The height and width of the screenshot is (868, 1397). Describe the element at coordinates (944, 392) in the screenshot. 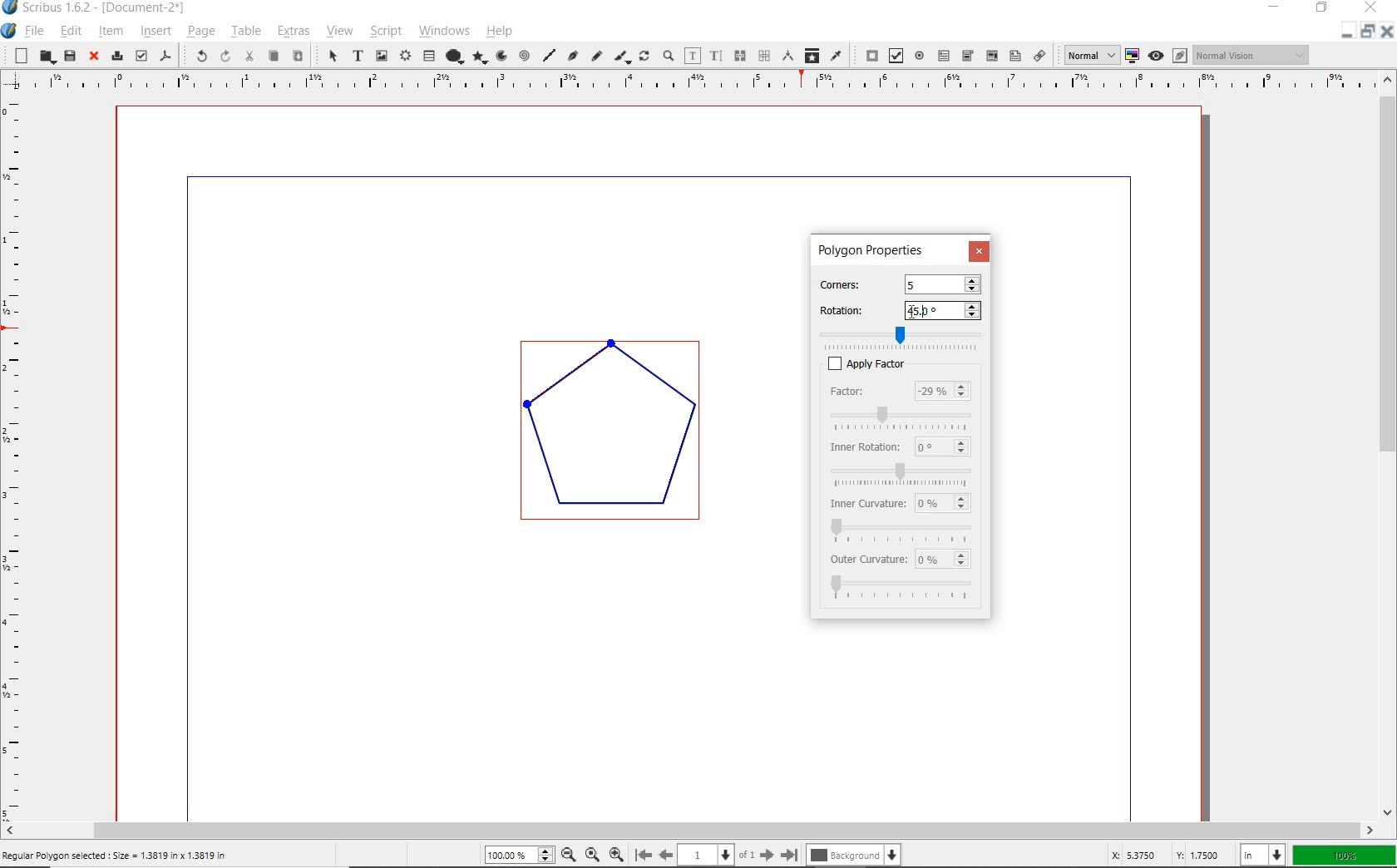

I see `input factor` at that location.